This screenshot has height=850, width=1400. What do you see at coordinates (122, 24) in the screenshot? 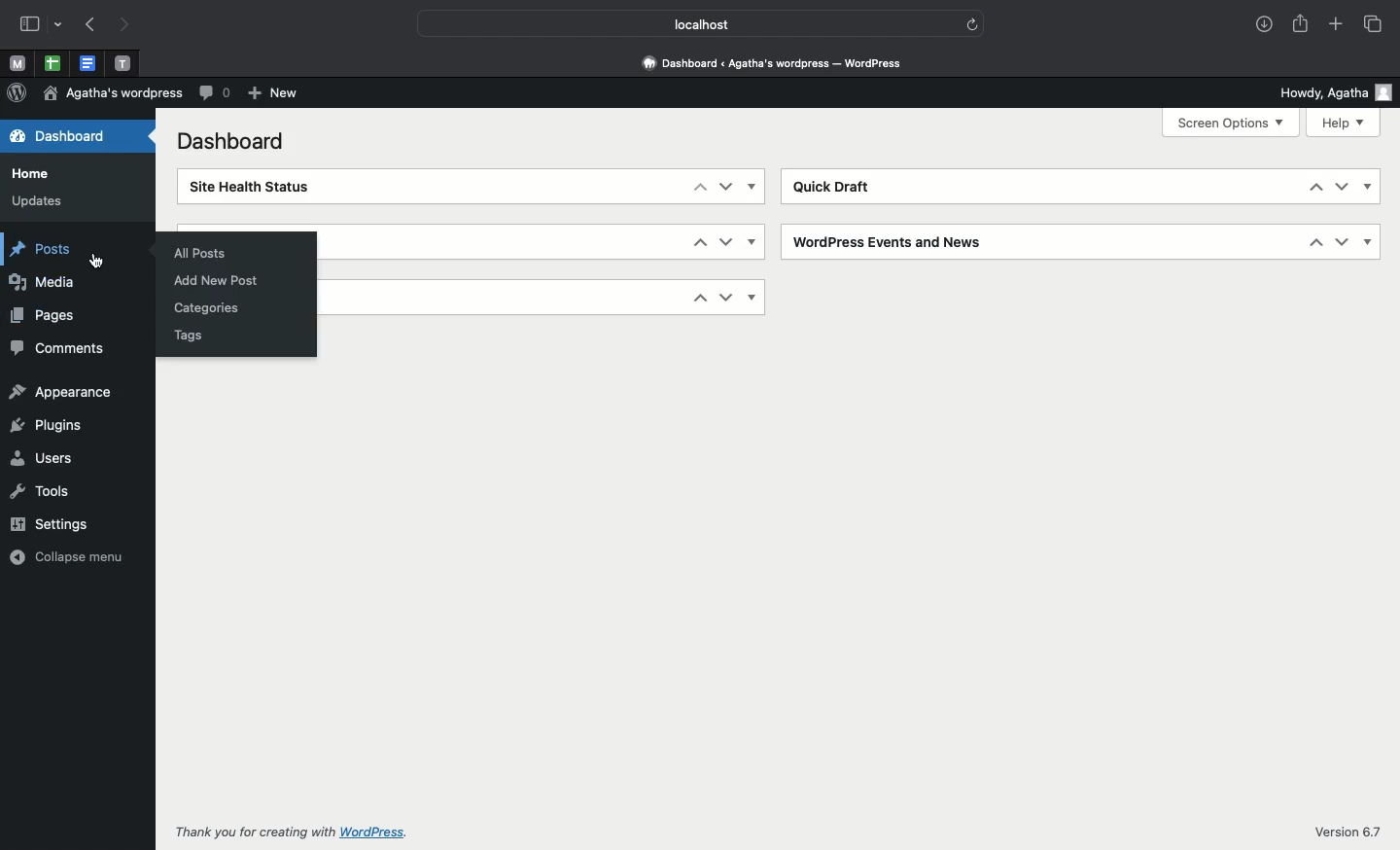
I see `Next page` at bounding box center [122, 24].